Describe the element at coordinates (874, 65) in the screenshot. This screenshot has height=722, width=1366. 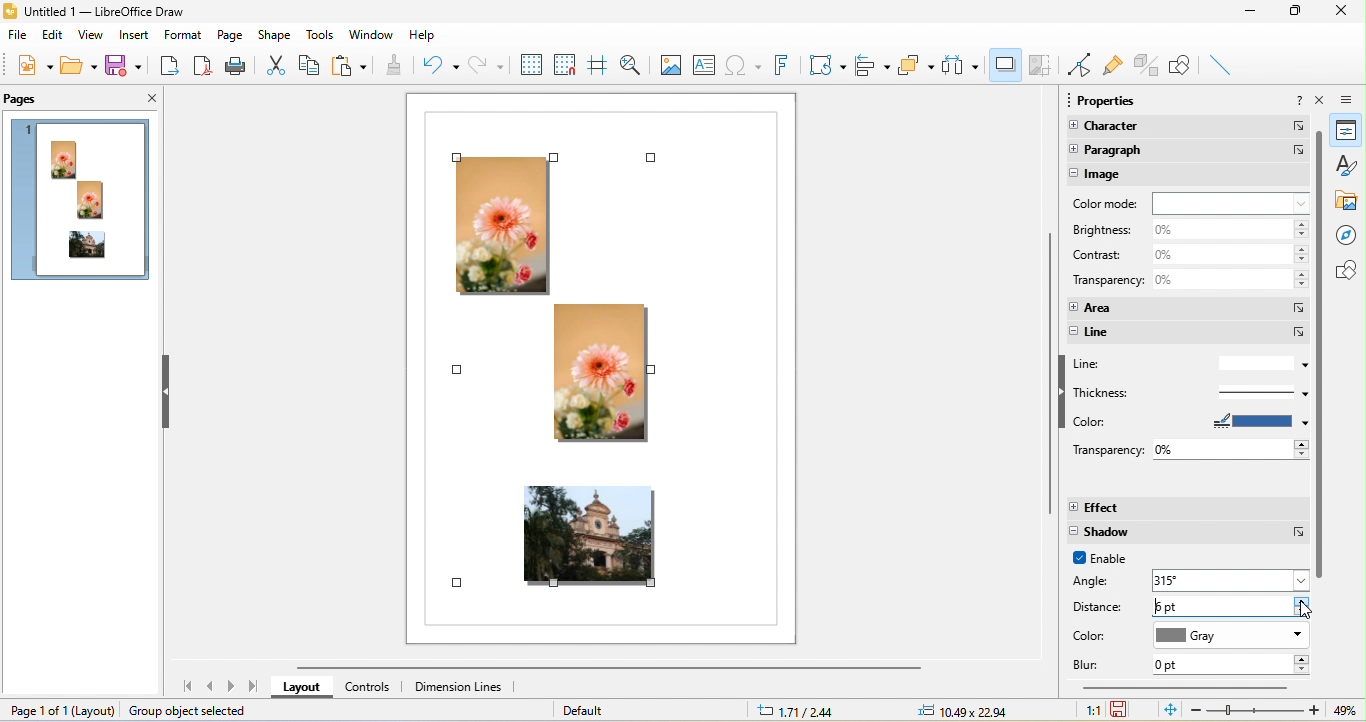
I see `align object` at that location.